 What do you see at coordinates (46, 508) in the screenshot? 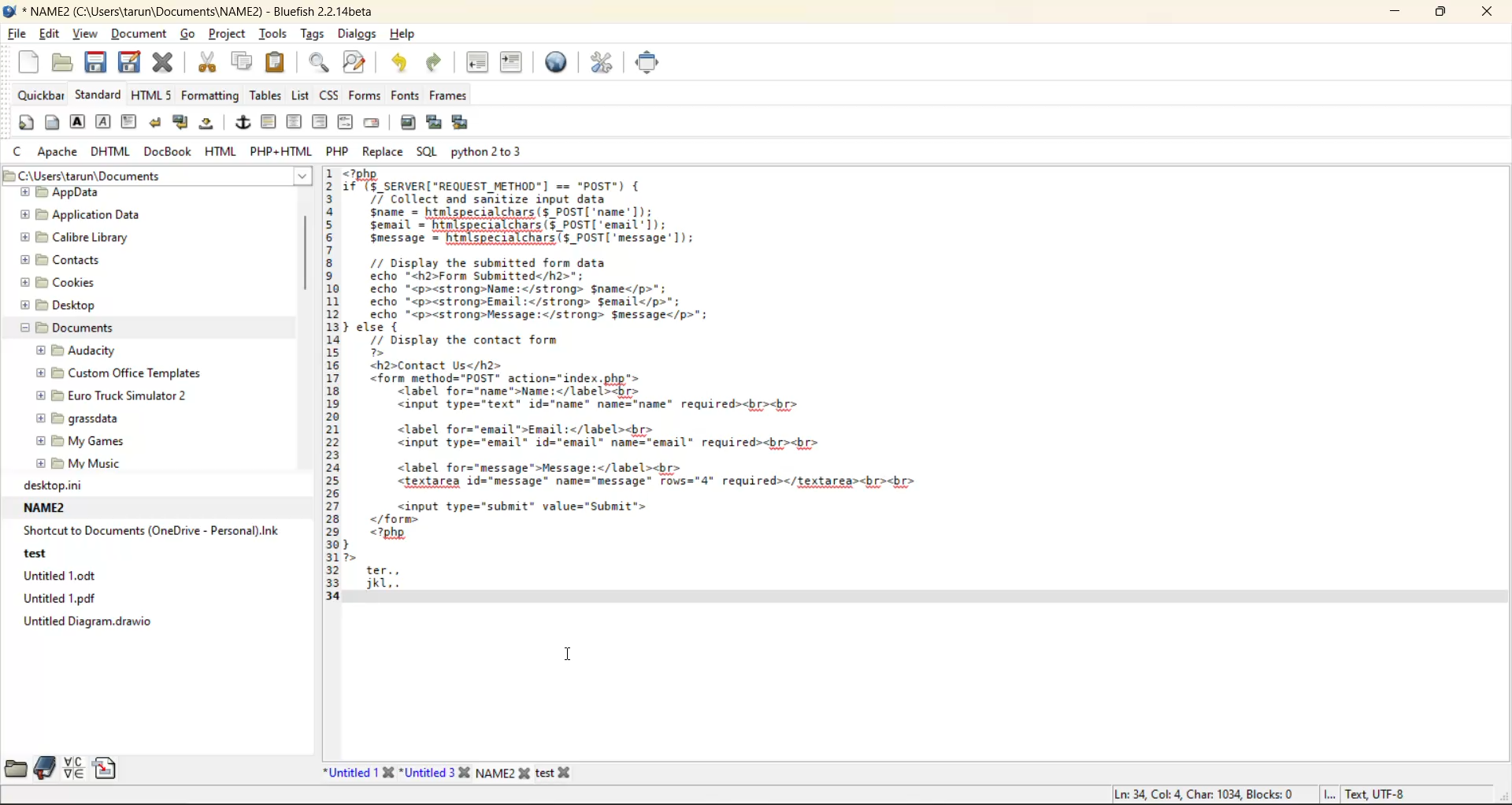
I see `NAME2` at bounding box center [46, 508].